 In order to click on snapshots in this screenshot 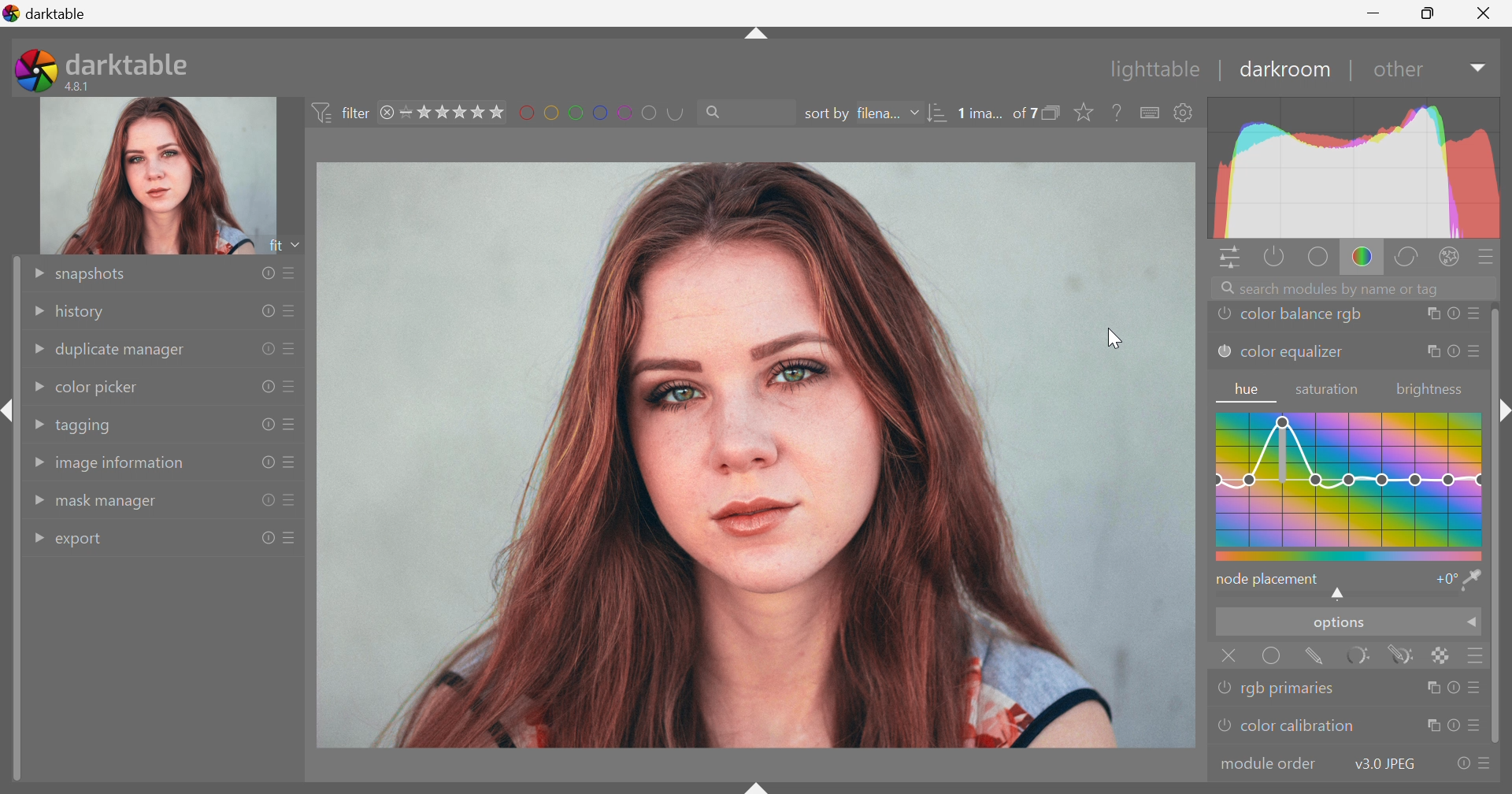, I will do `click(95, 274)`.